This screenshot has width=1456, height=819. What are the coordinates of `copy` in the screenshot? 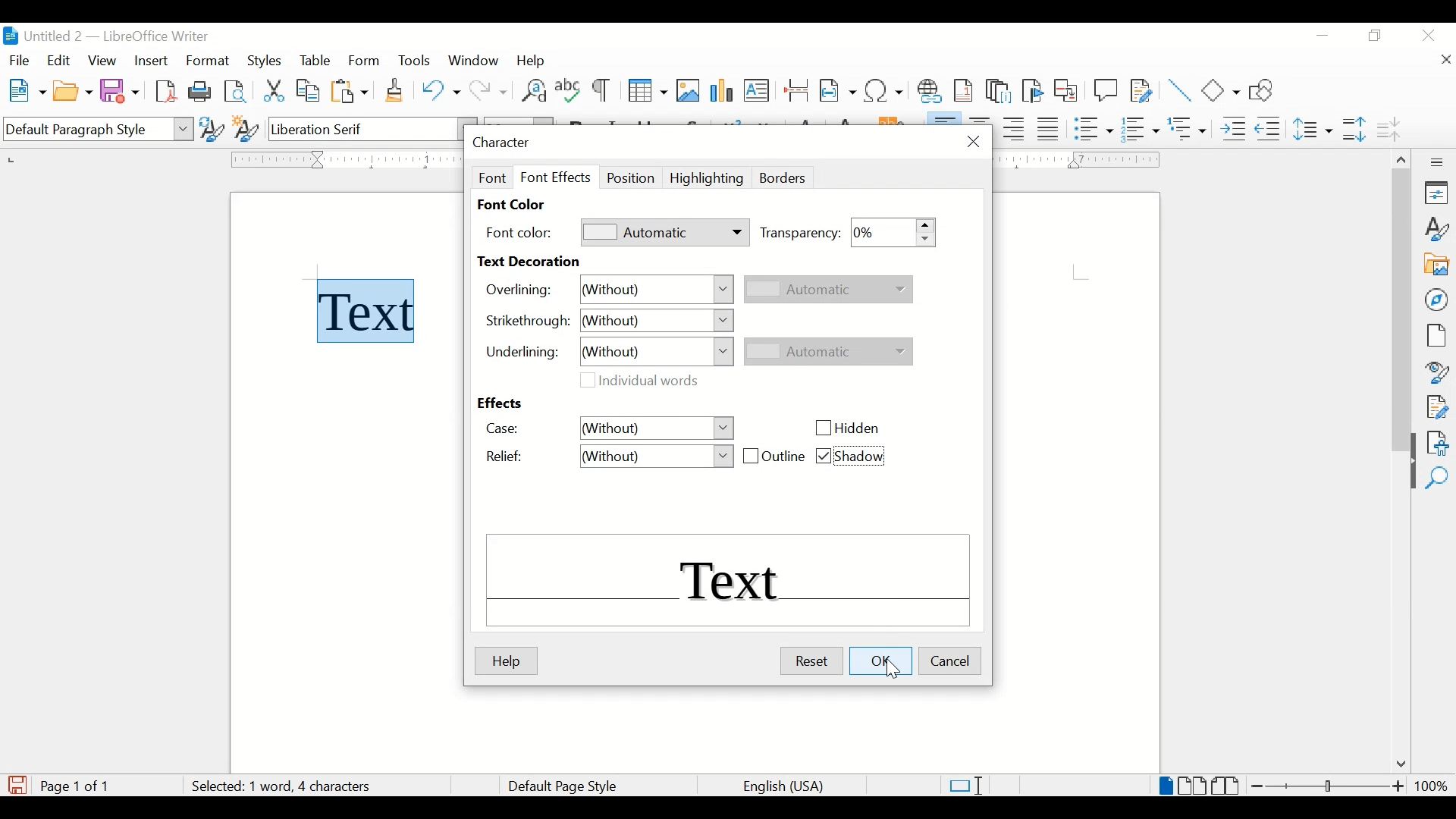 It's located at (309, 91).